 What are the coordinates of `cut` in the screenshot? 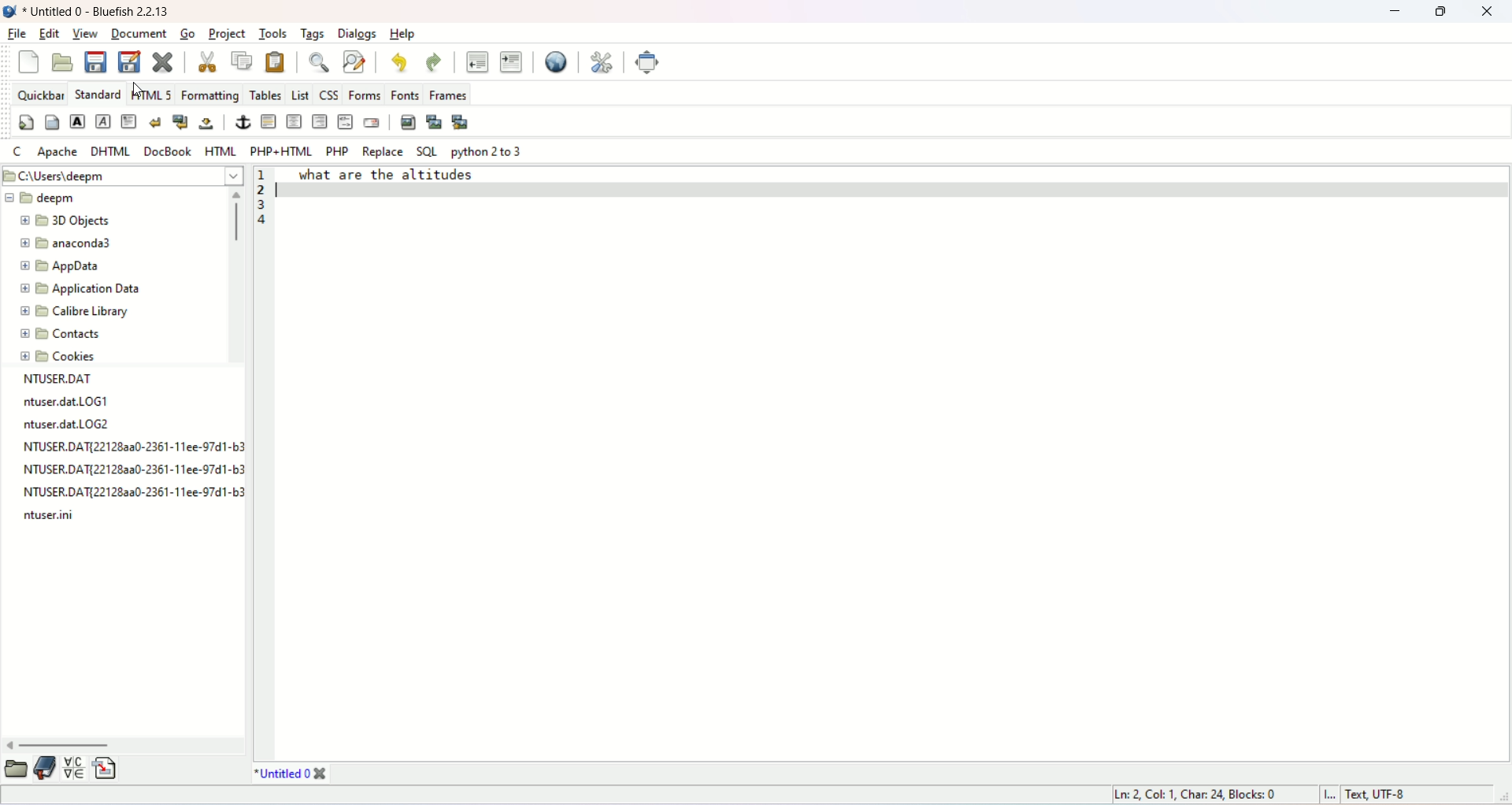 It's located at (209, 62).